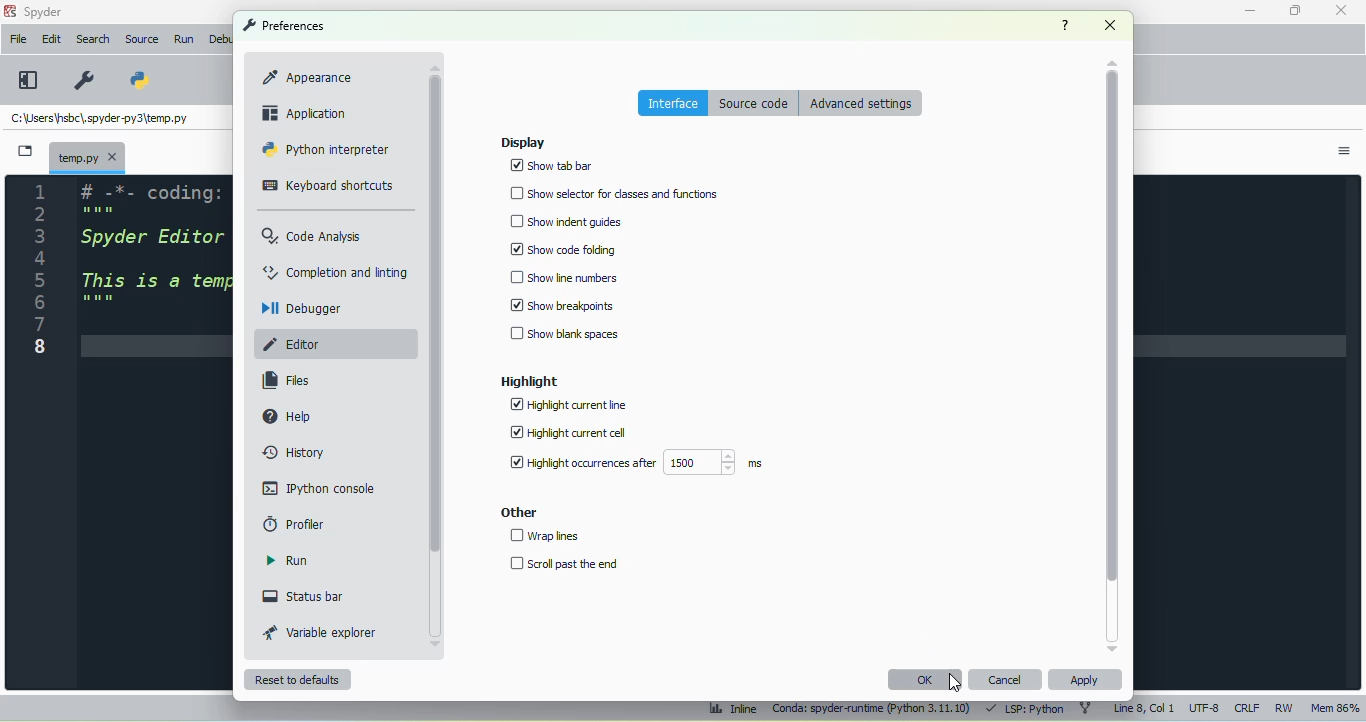 The width and height of the screenshot is (1366, 722). Describe the element at coordinates (567, 432) in the screenshot. I see `highlight current cell` at that location.